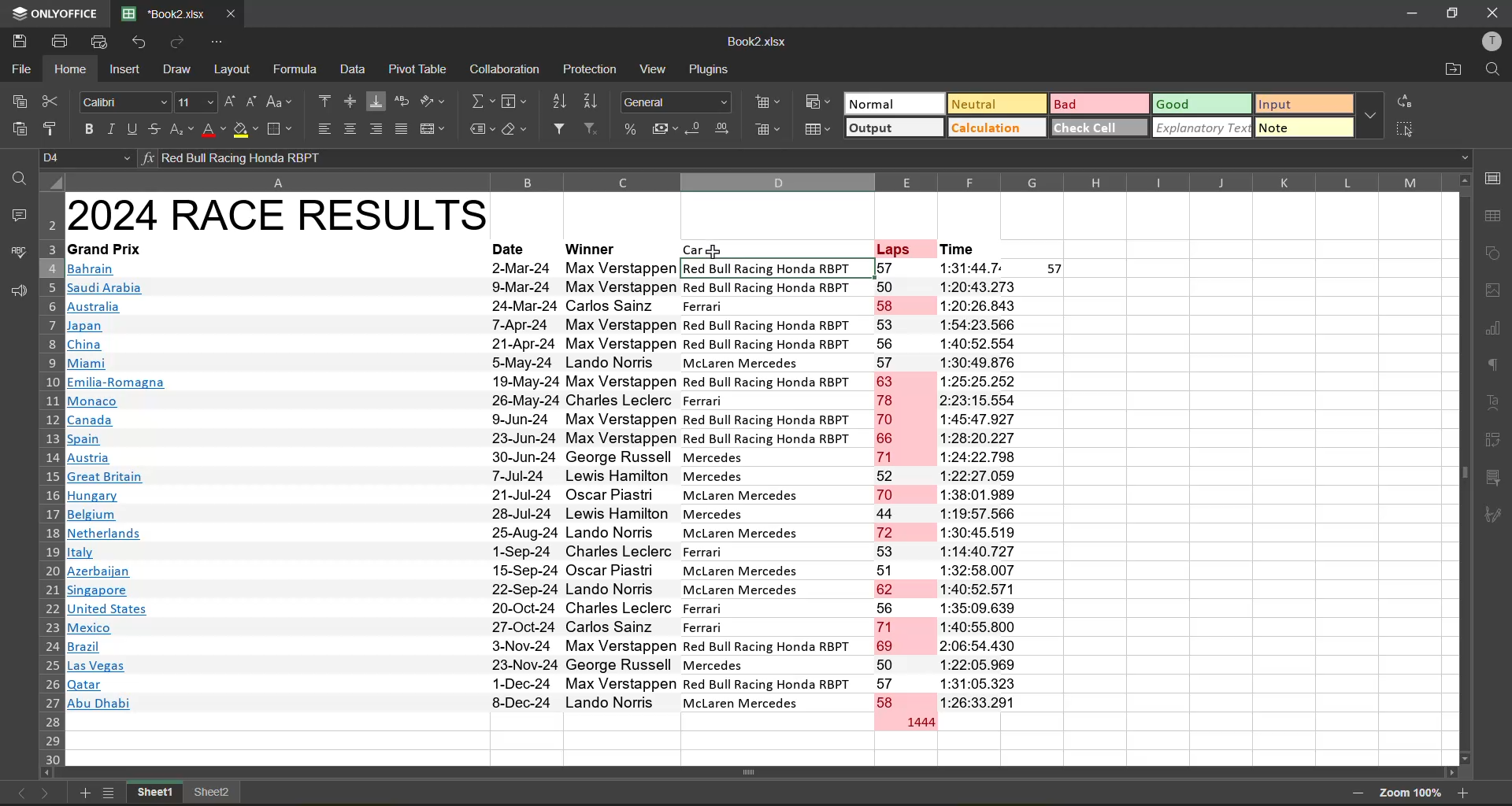  I want to click on copy style, so click(52, 128).